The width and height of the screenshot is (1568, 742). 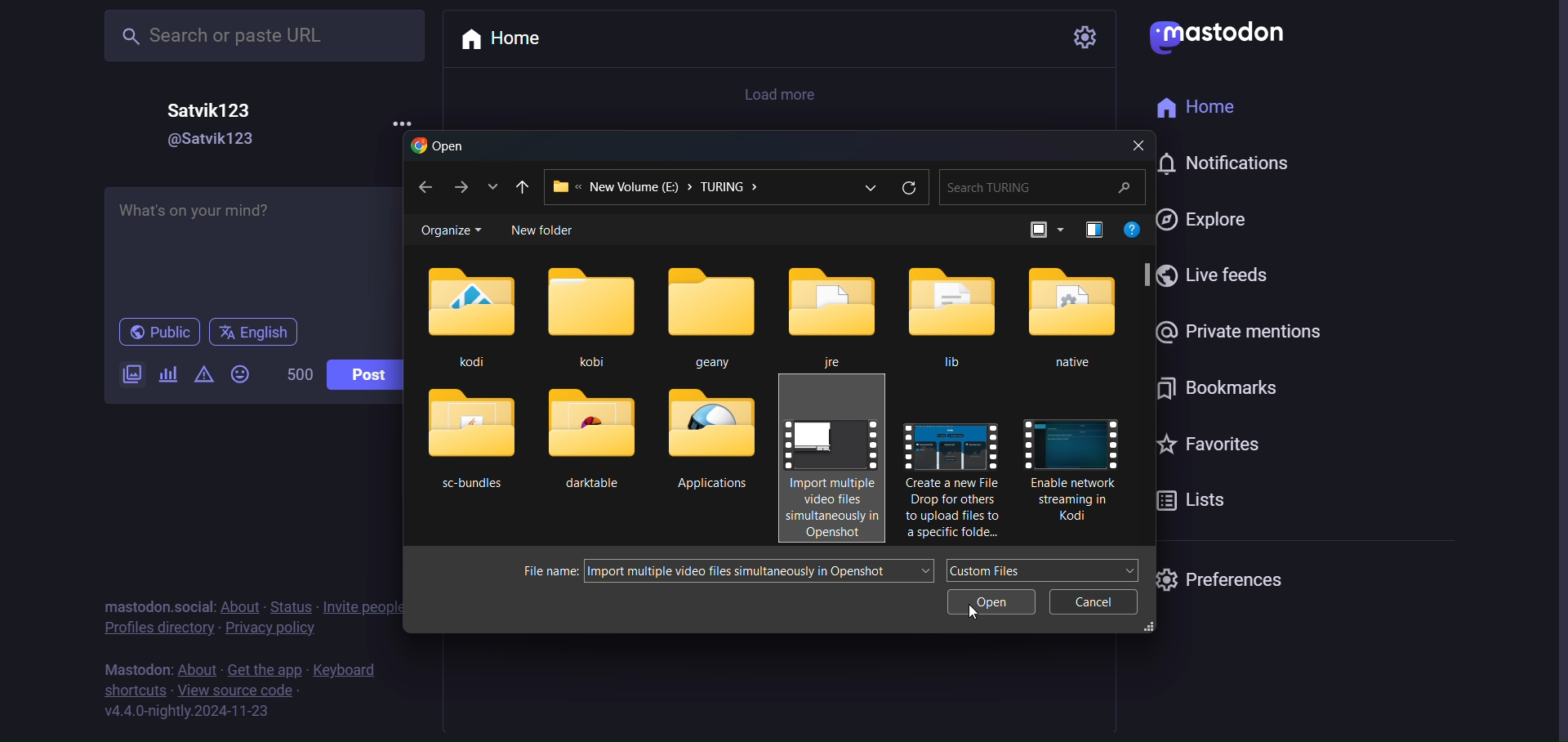 I want to click on version, so click(x=186, y=713).